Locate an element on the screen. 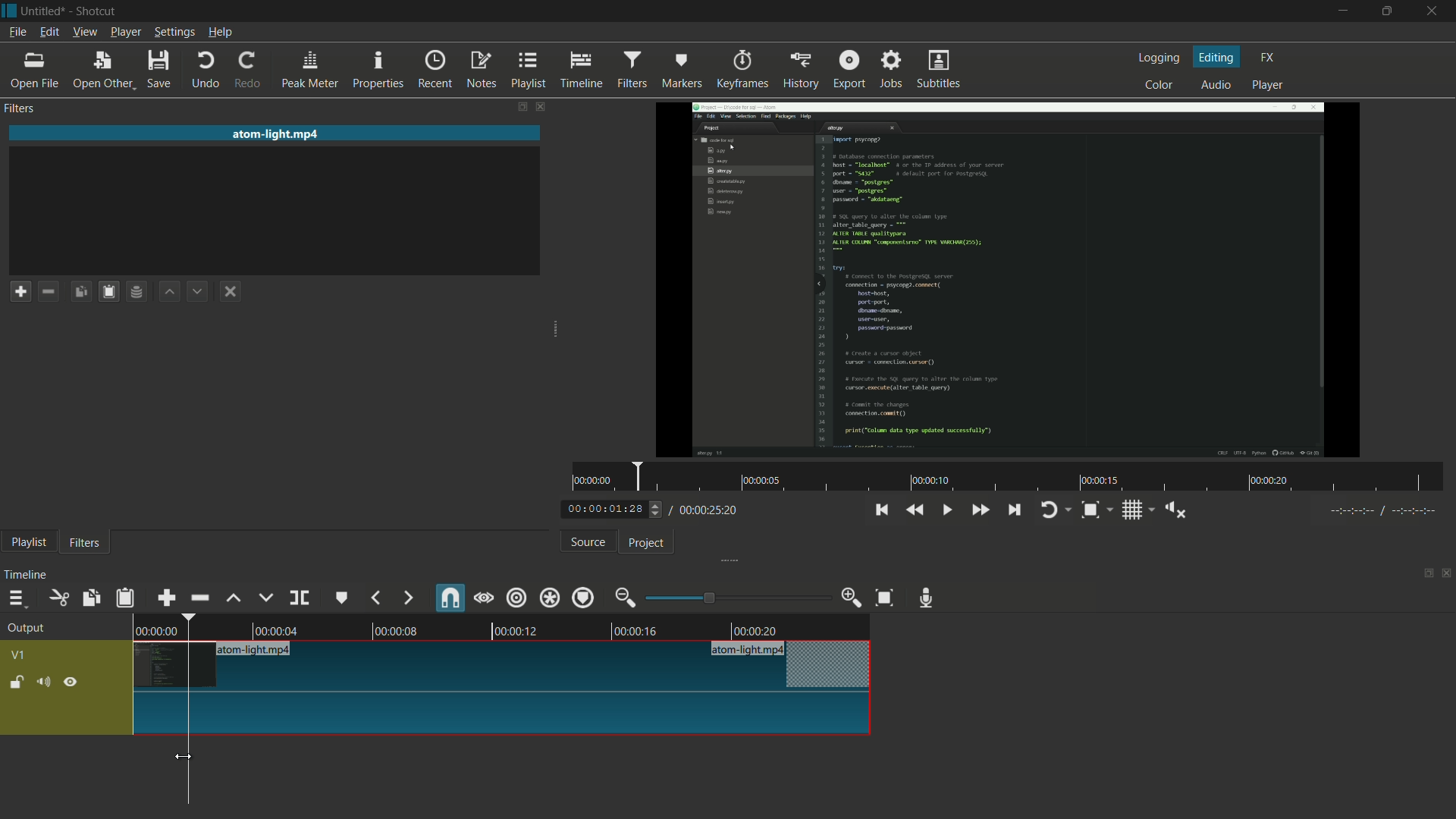 The height and width of the screenshot is (819, 1456). peak meter is located at coordinates (310, 71).